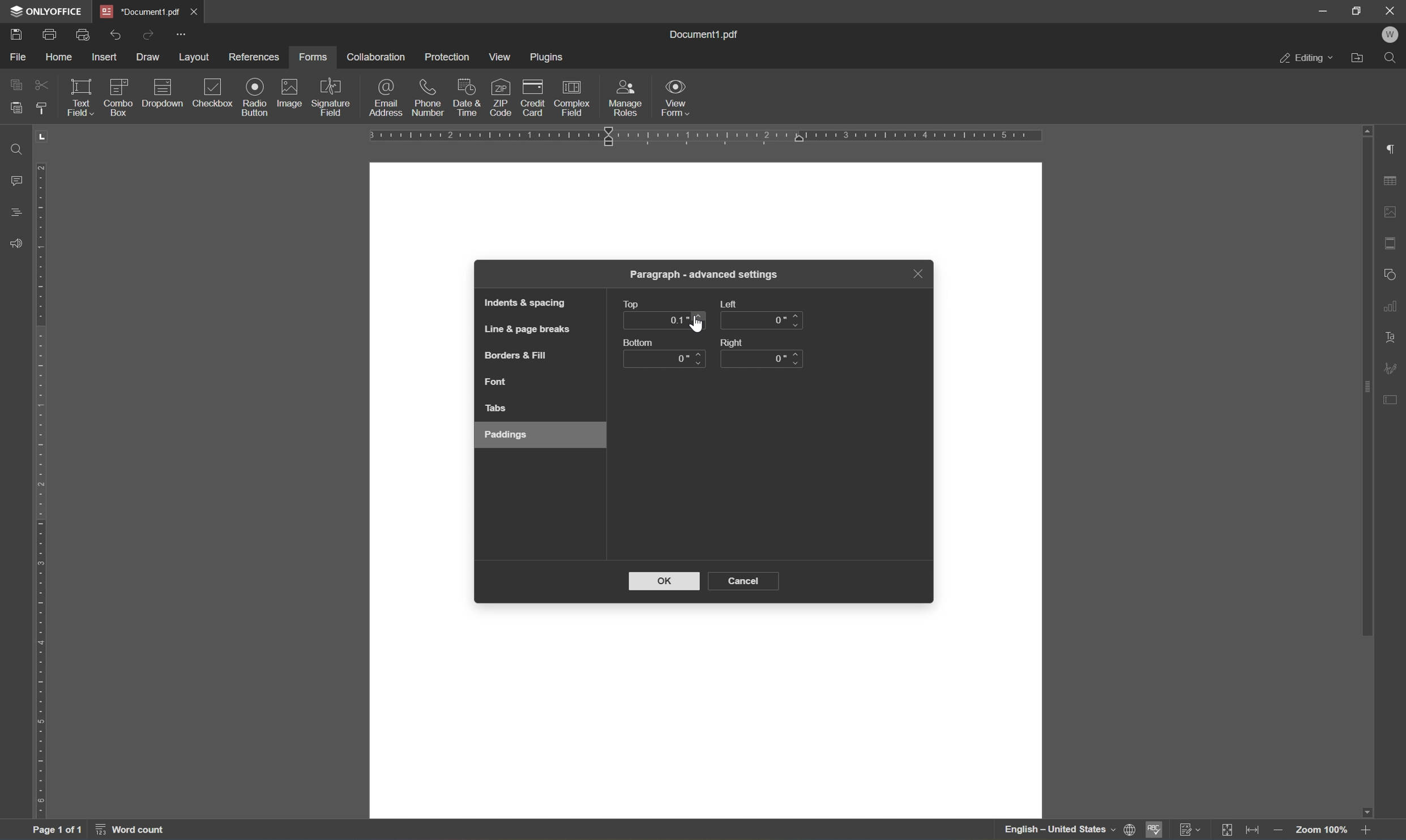 This screenshot has width=1406, height=840. What do you see at coordinates (317, 56) in the screenshot?
I see `forms` at bounding box center [317, 56].